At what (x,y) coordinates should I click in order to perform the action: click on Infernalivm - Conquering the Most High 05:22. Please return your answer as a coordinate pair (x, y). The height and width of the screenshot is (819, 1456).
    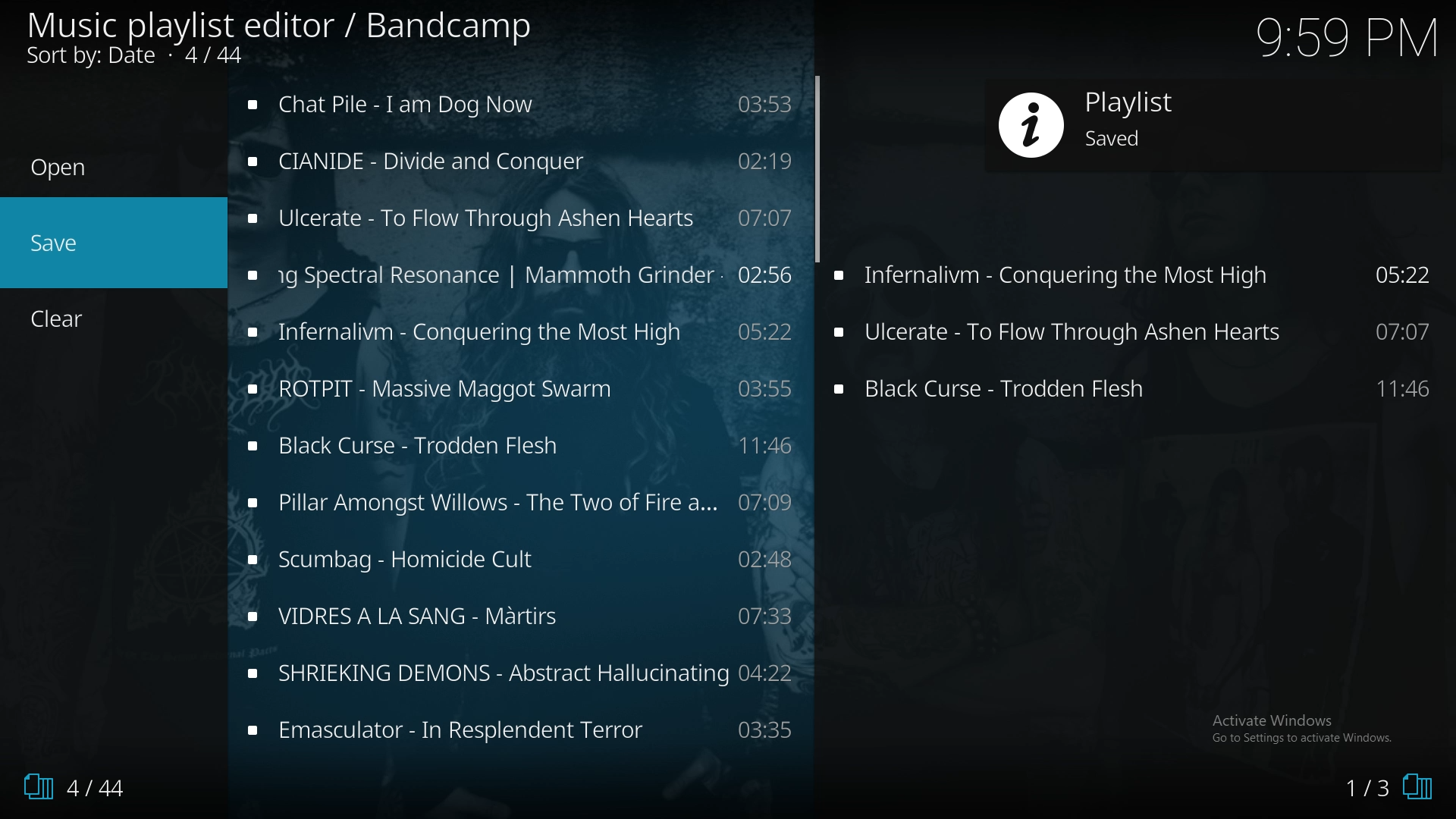
    Looking at the image, I should click on (1141, 281).